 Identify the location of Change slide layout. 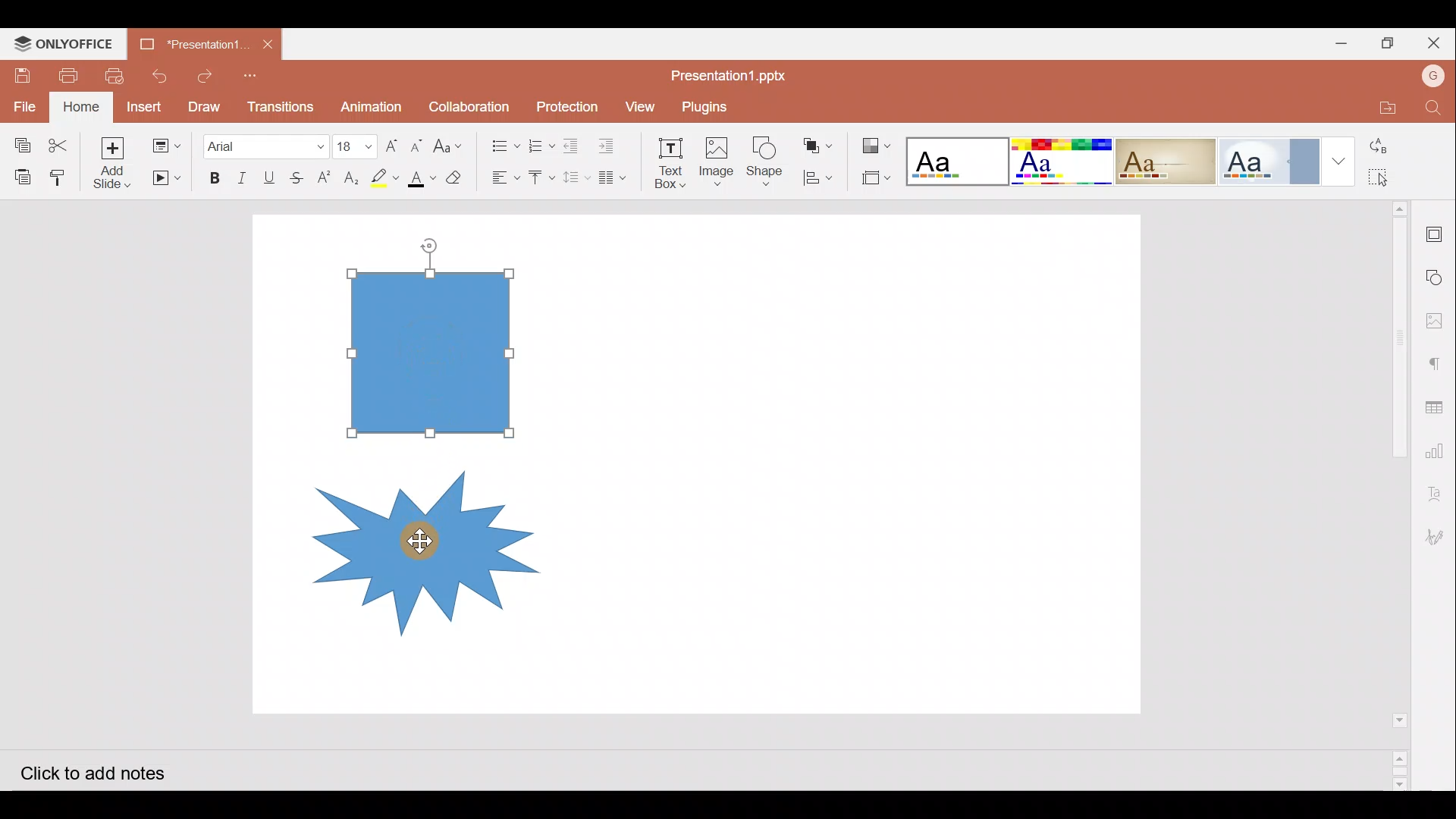
(166, 144).